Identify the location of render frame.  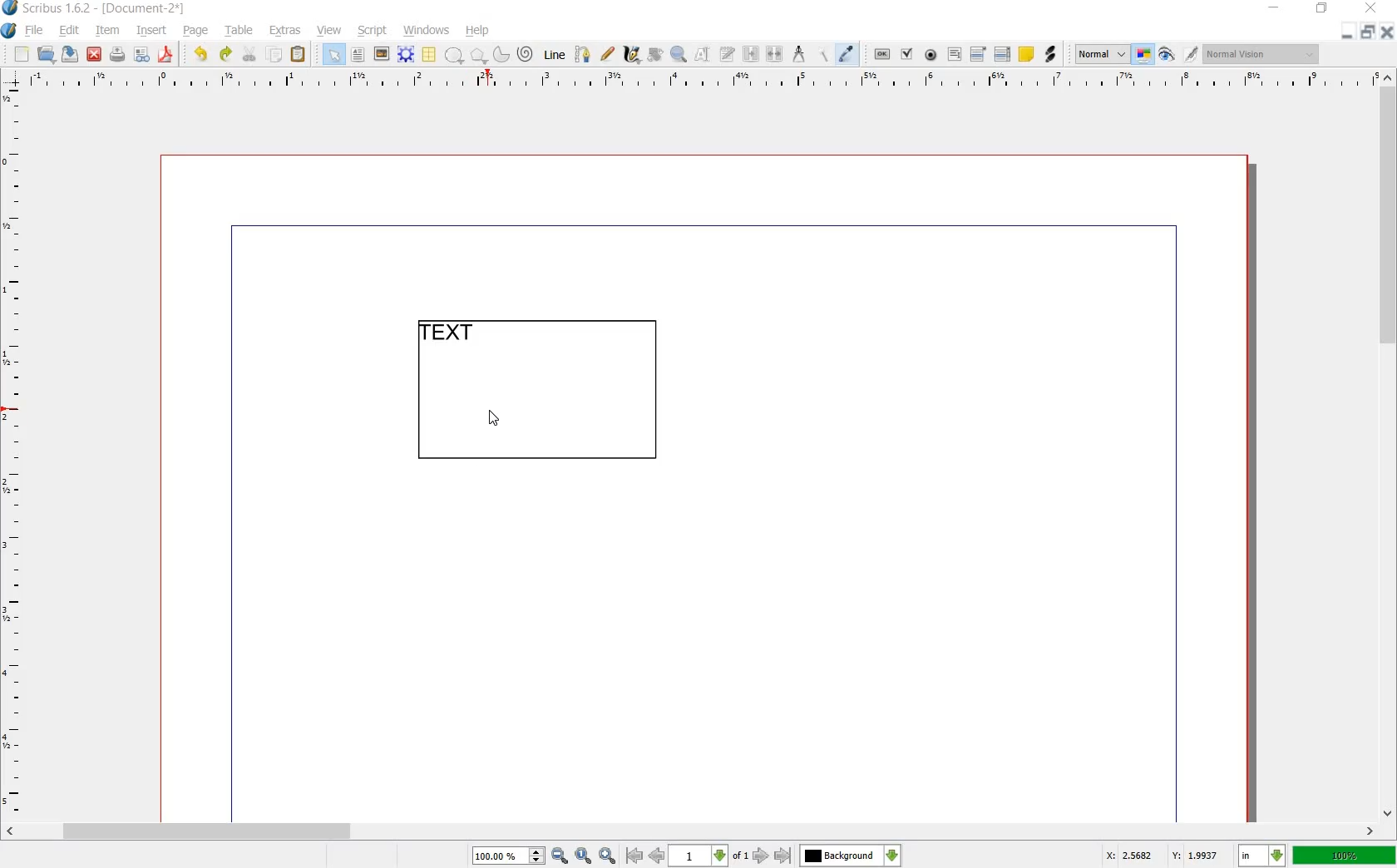
(406, 55).